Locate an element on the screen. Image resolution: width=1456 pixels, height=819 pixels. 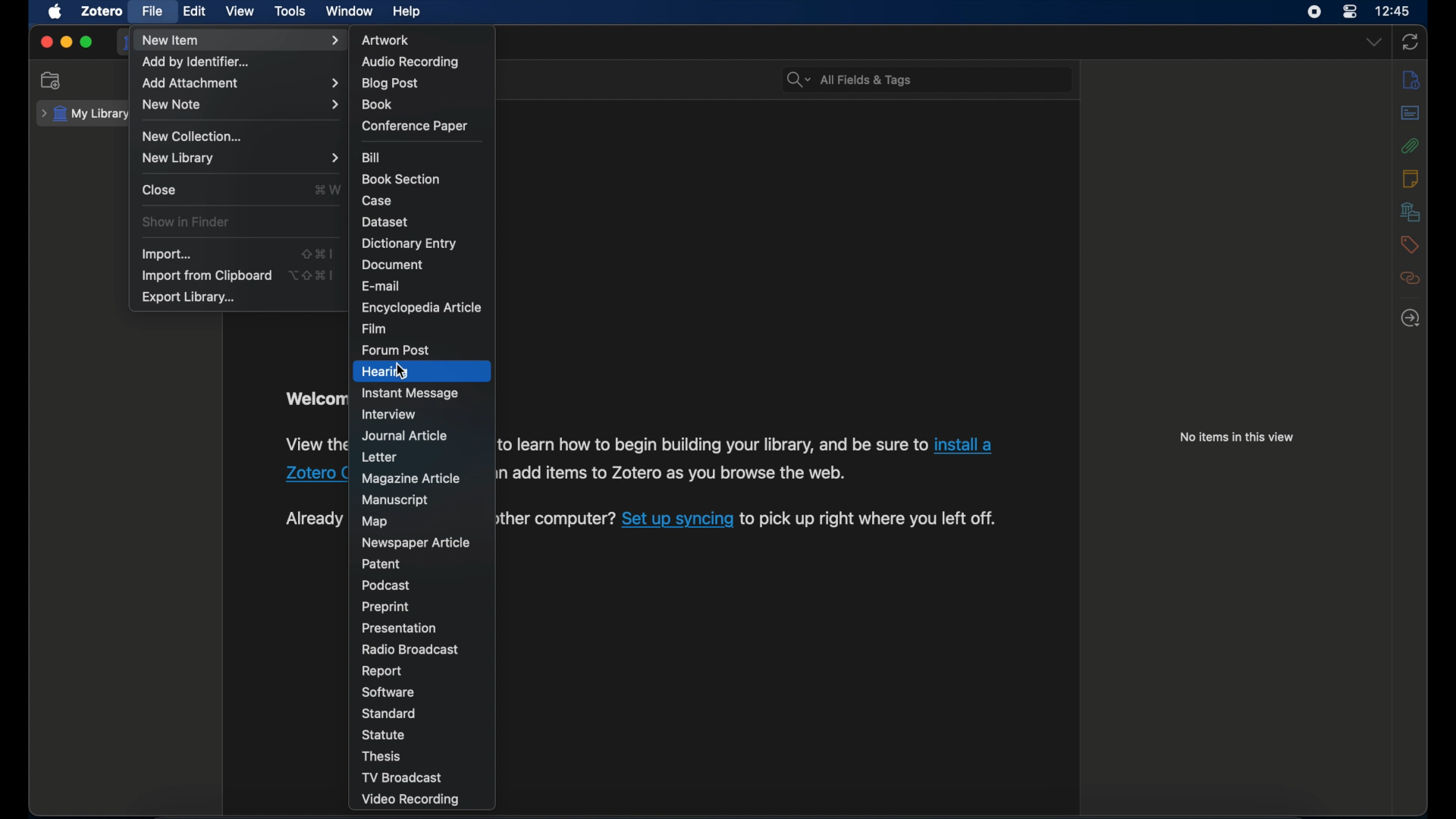
new item is located at coordinates (240, 39).